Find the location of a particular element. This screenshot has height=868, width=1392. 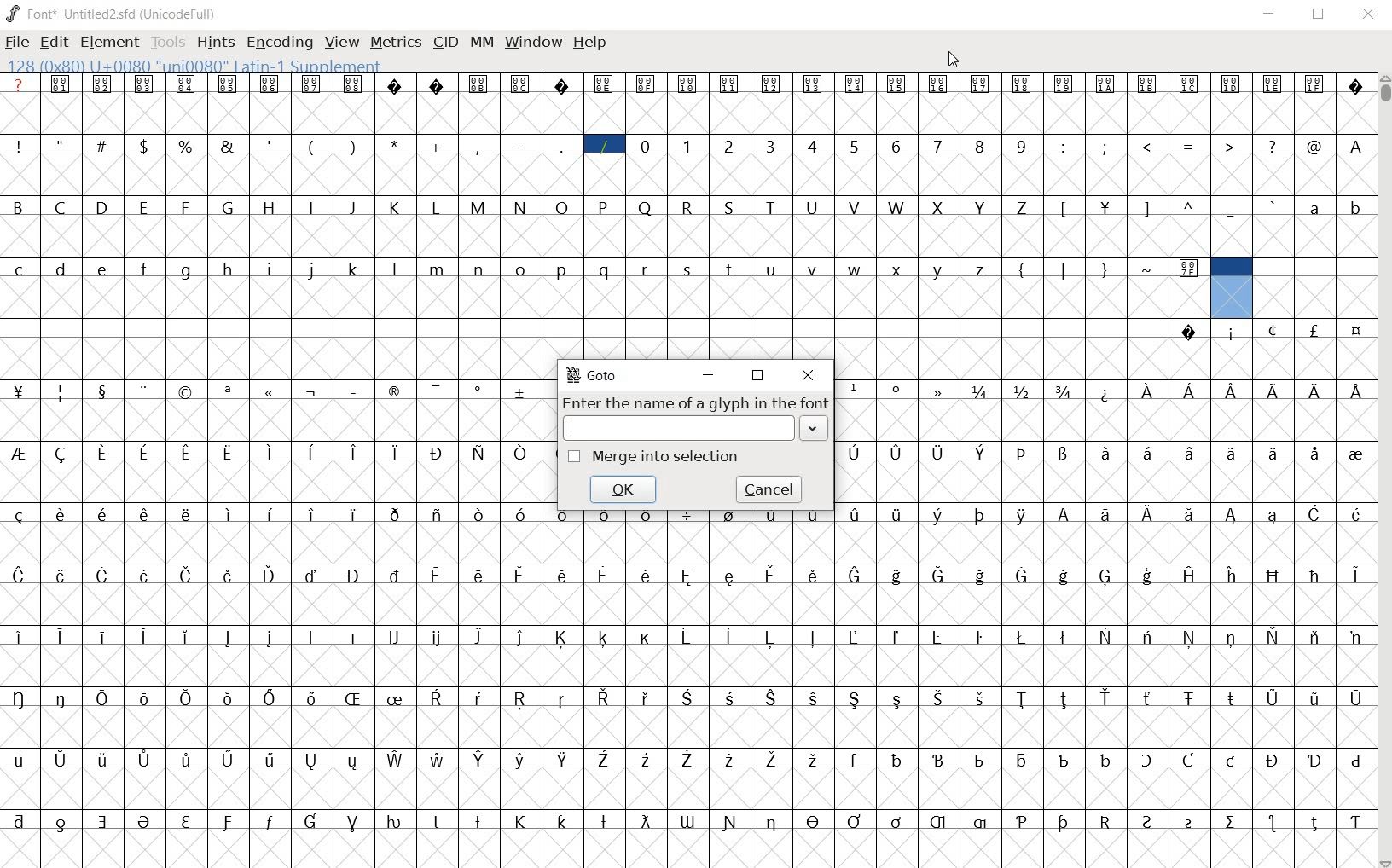

Symbol is located at coordinates (1356, 453).